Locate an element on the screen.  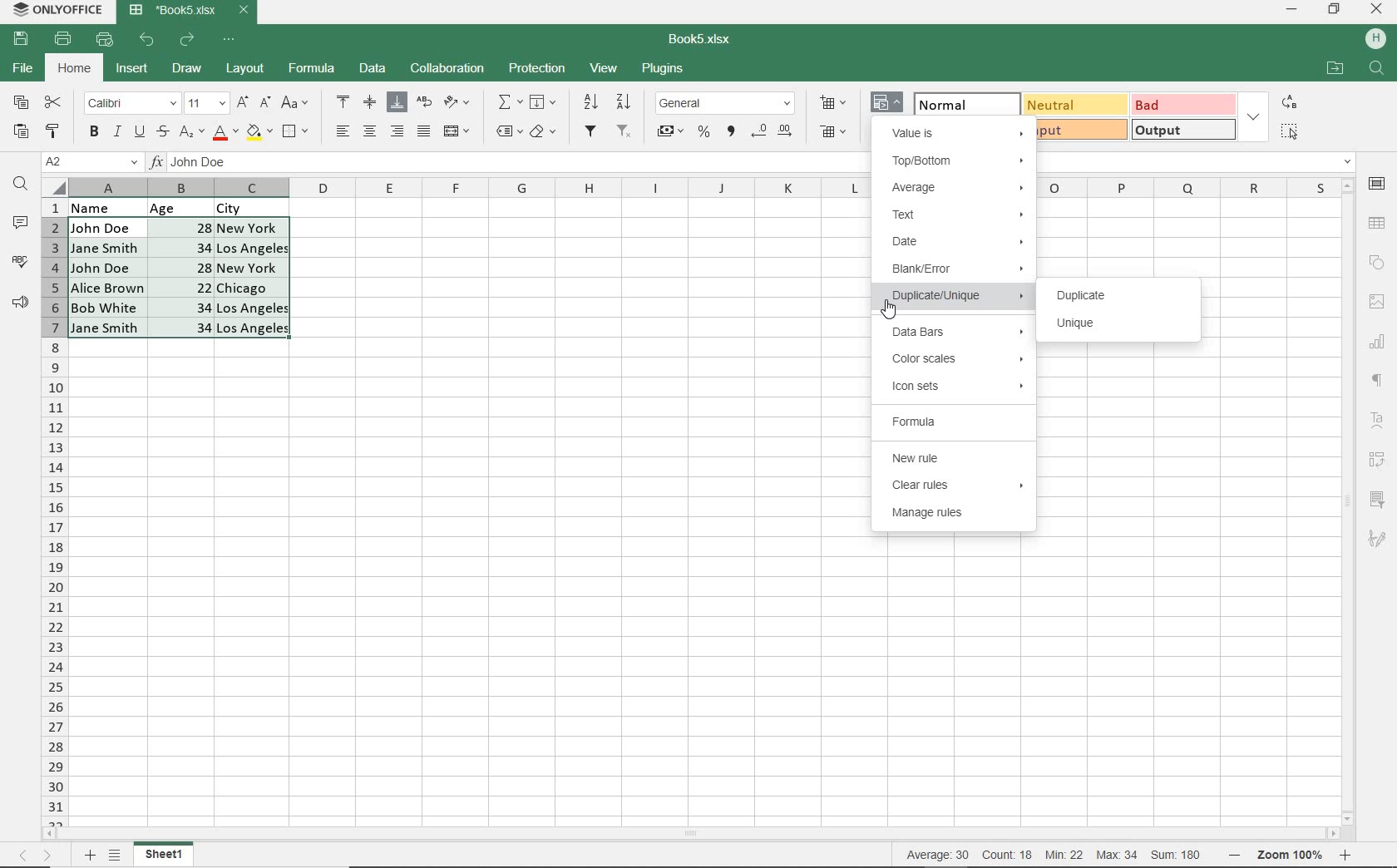
FONT is located at coordinates (130, 102).